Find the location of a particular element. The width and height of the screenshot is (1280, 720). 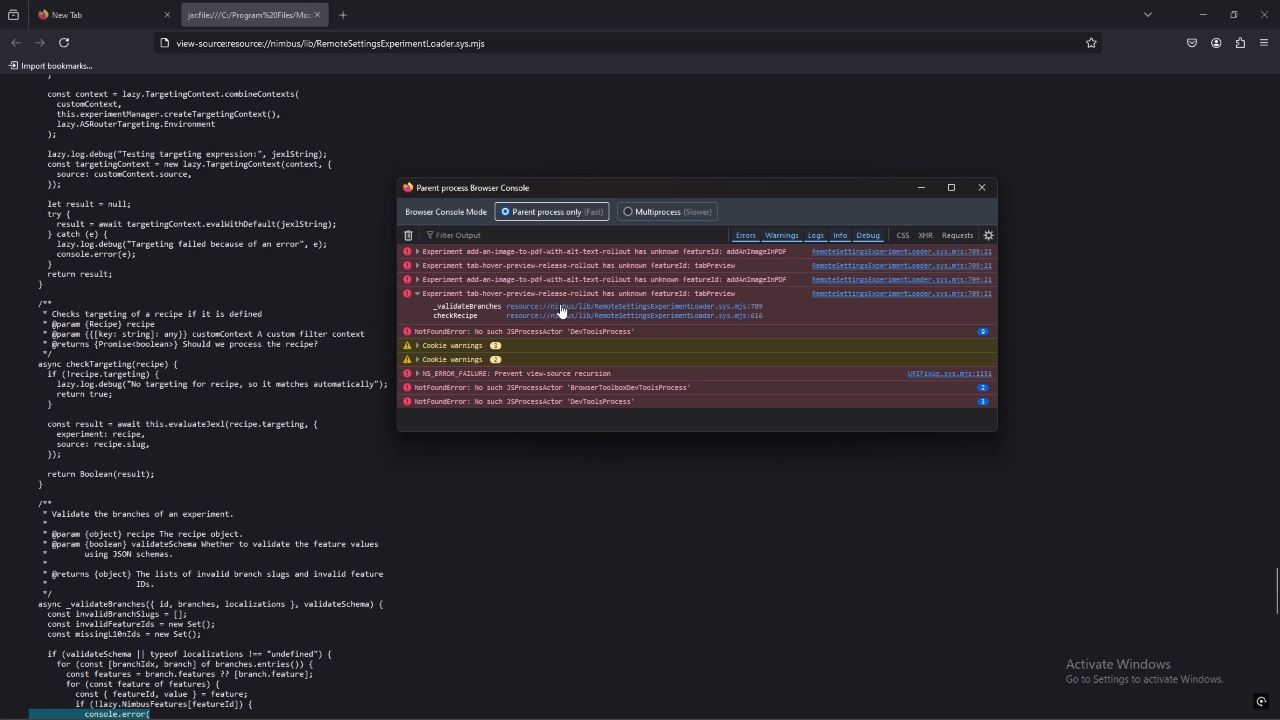

text is located at coordinates (1144, 671).